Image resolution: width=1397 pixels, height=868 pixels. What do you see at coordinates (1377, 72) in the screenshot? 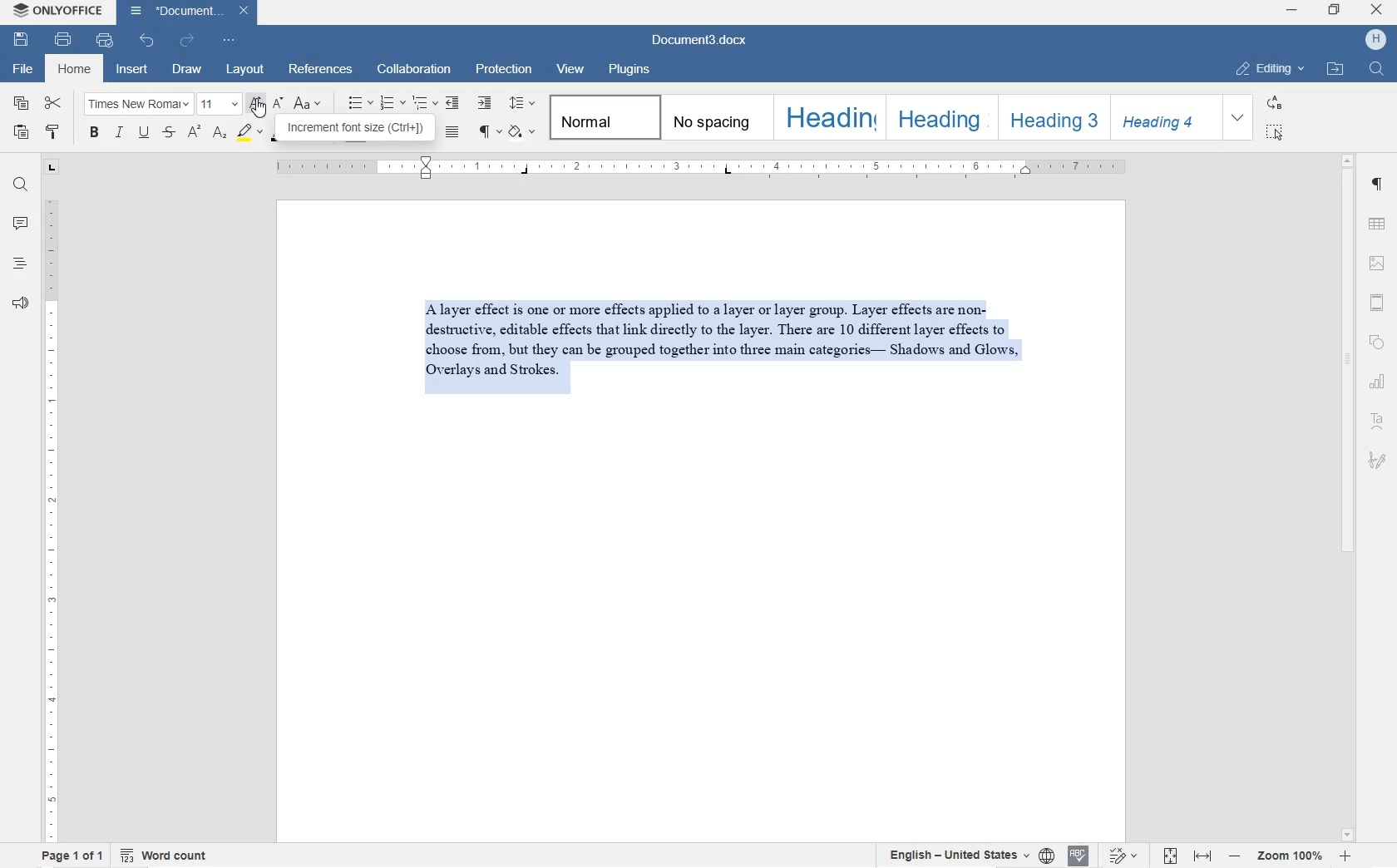
I see `FIND` at bounding box center [1377, 72].